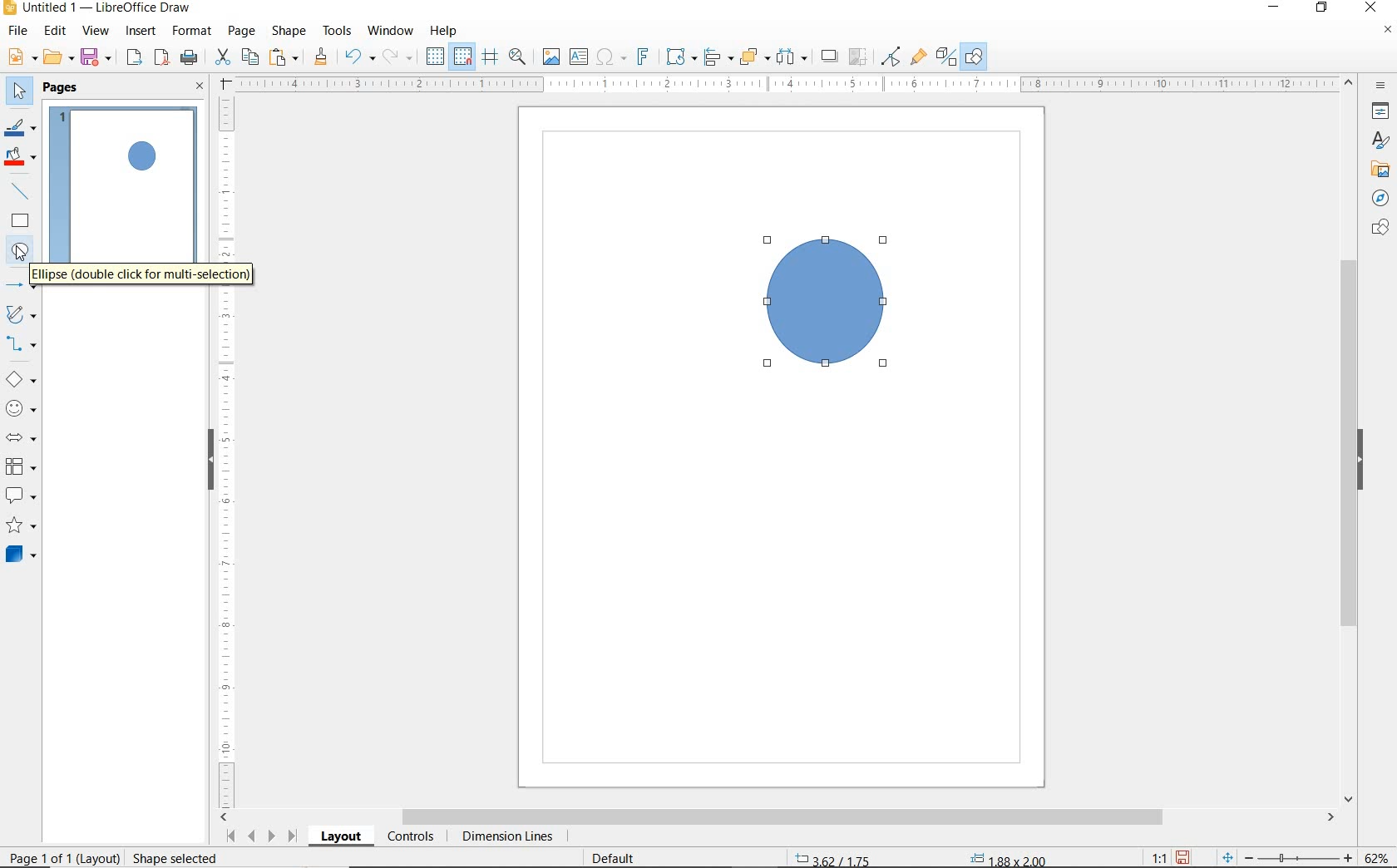  I want to click on RECTANGLE, so click(20, 223).